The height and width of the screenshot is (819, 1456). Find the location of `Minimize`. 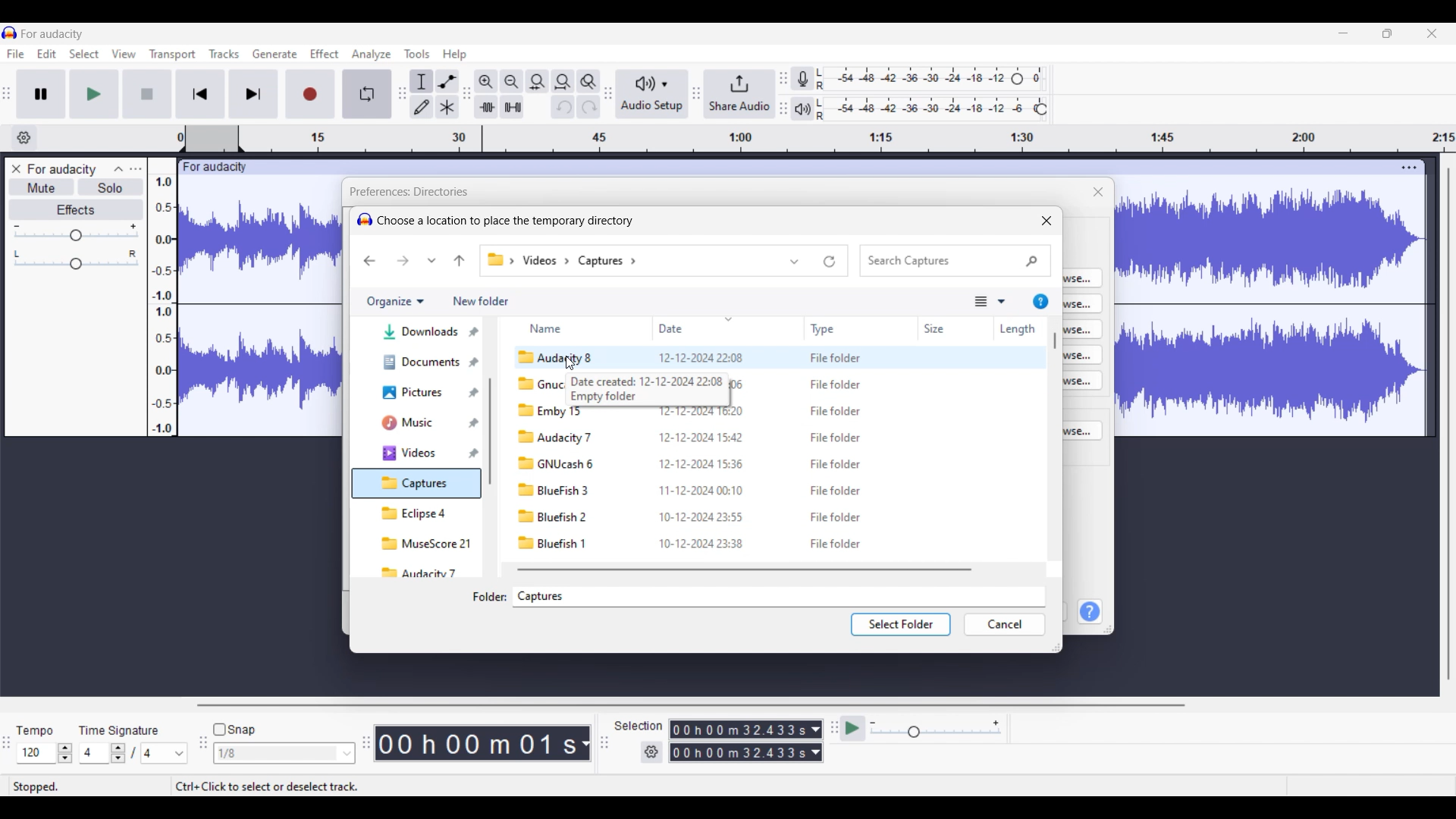

Minimize is located at coordinates (1344, 33).